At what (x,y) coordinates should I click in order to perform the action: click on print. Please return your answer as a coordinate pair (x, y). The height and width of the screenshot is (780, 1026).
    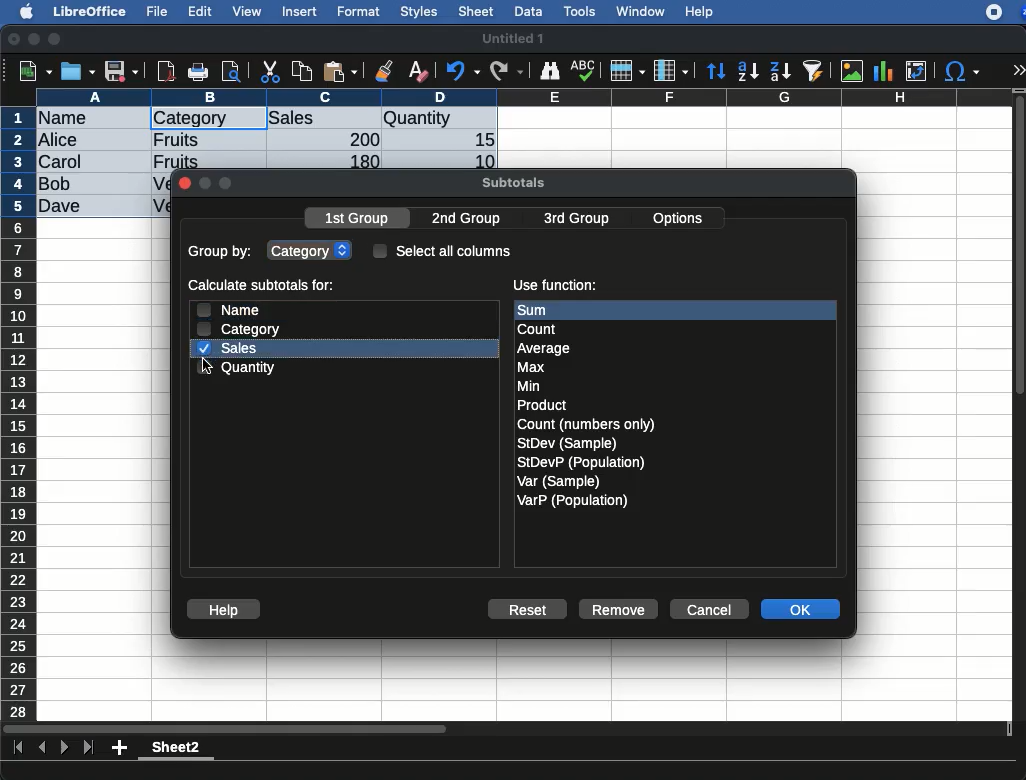
    Looking at the image, I should click on (198, 72).